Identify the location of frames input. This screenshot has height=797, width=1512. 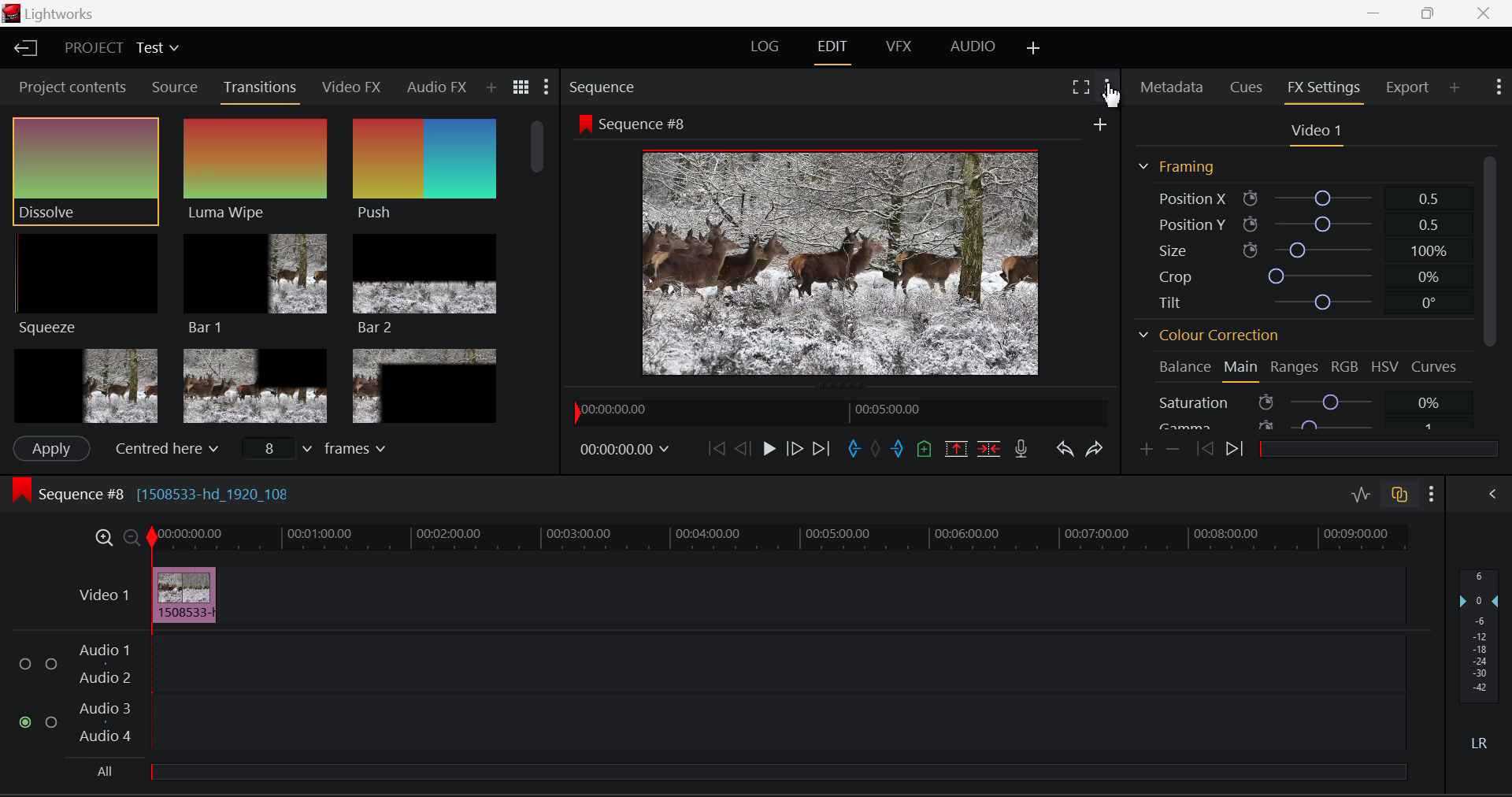
(323, 450).